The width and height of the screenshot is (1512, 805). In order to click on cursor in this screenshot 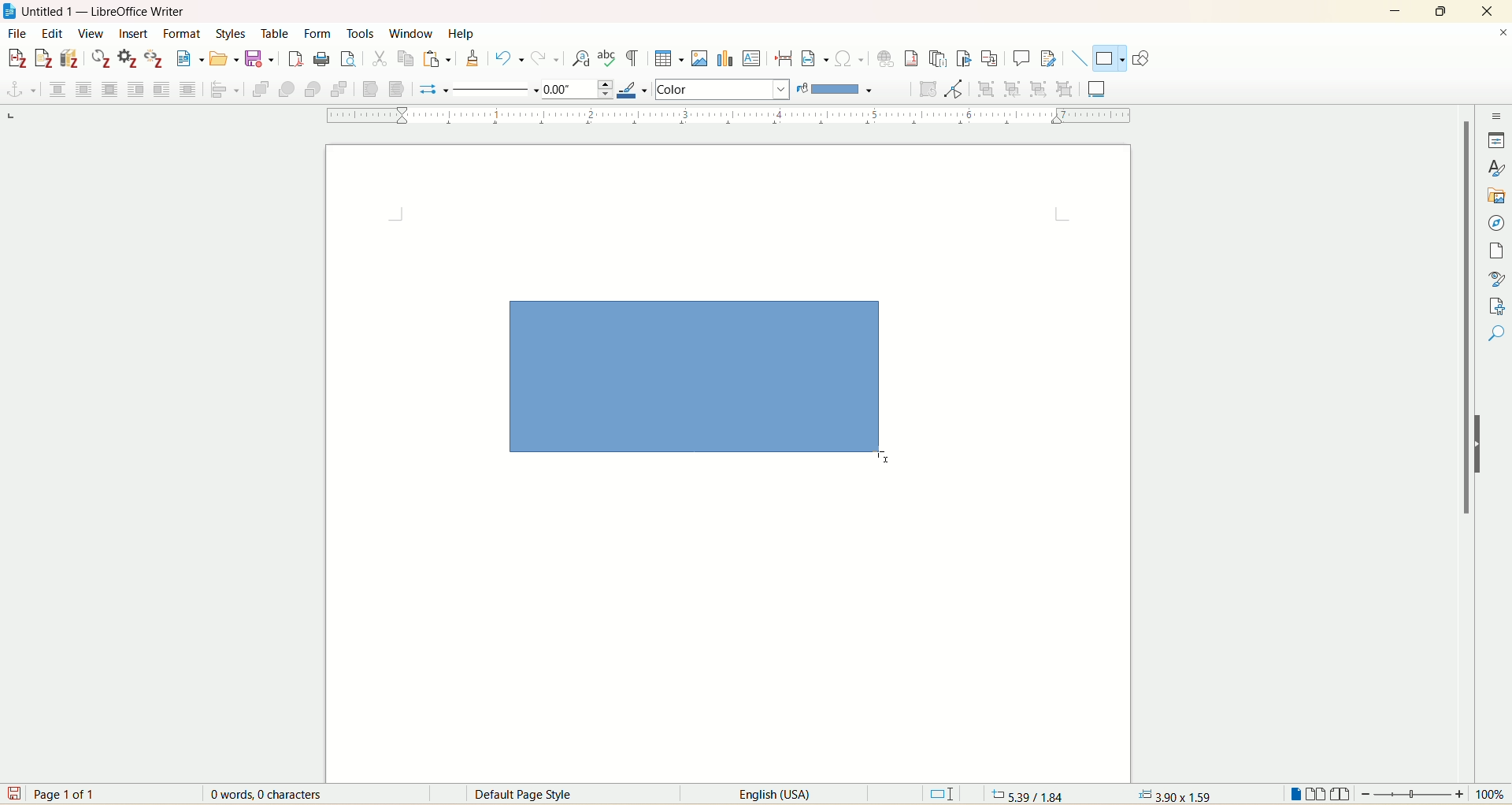, I will do `click(503, 303)`.